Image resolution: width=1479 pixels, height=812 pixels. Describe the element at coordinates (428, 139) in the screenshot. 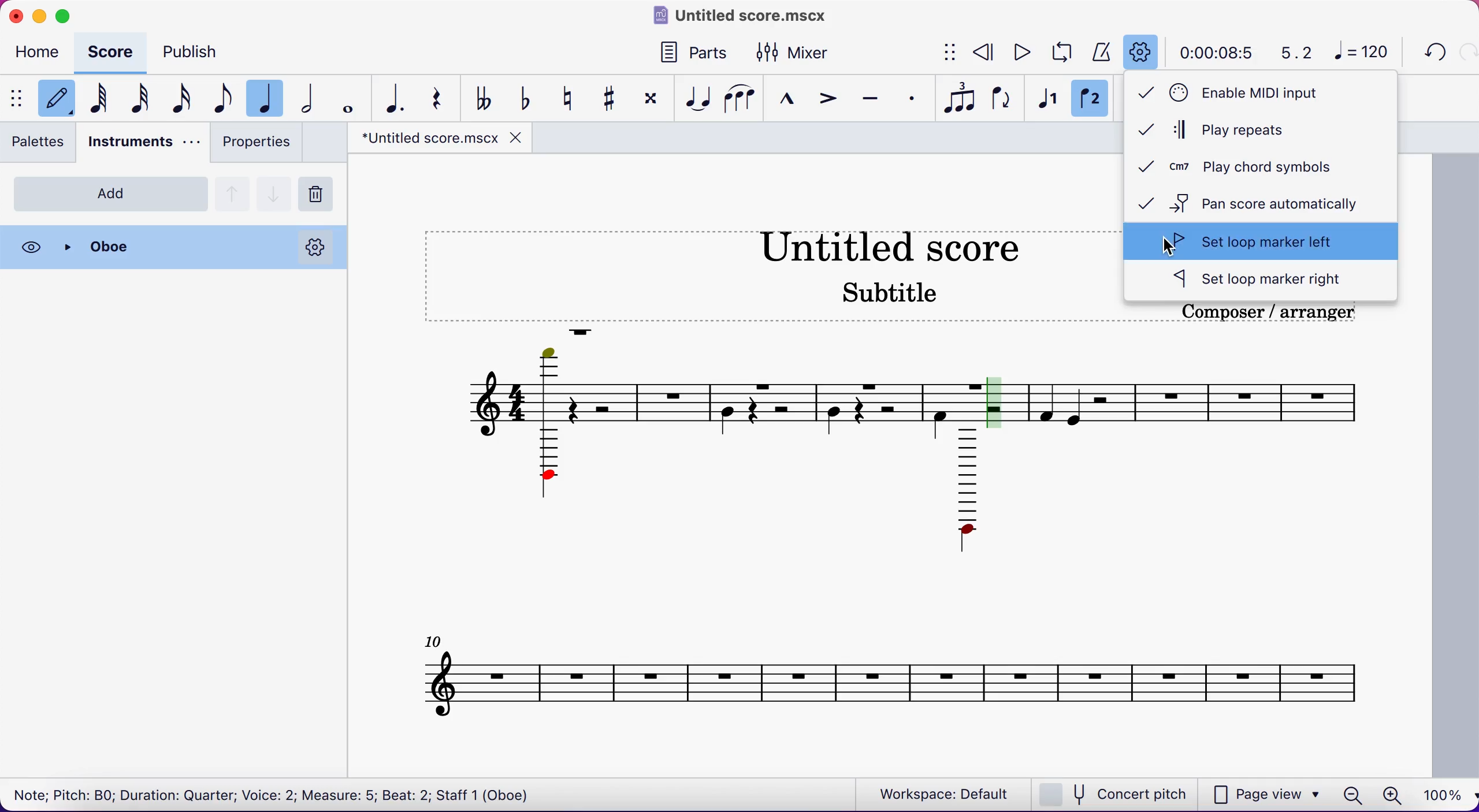

I see `"Untitled score.mscx` at that location.